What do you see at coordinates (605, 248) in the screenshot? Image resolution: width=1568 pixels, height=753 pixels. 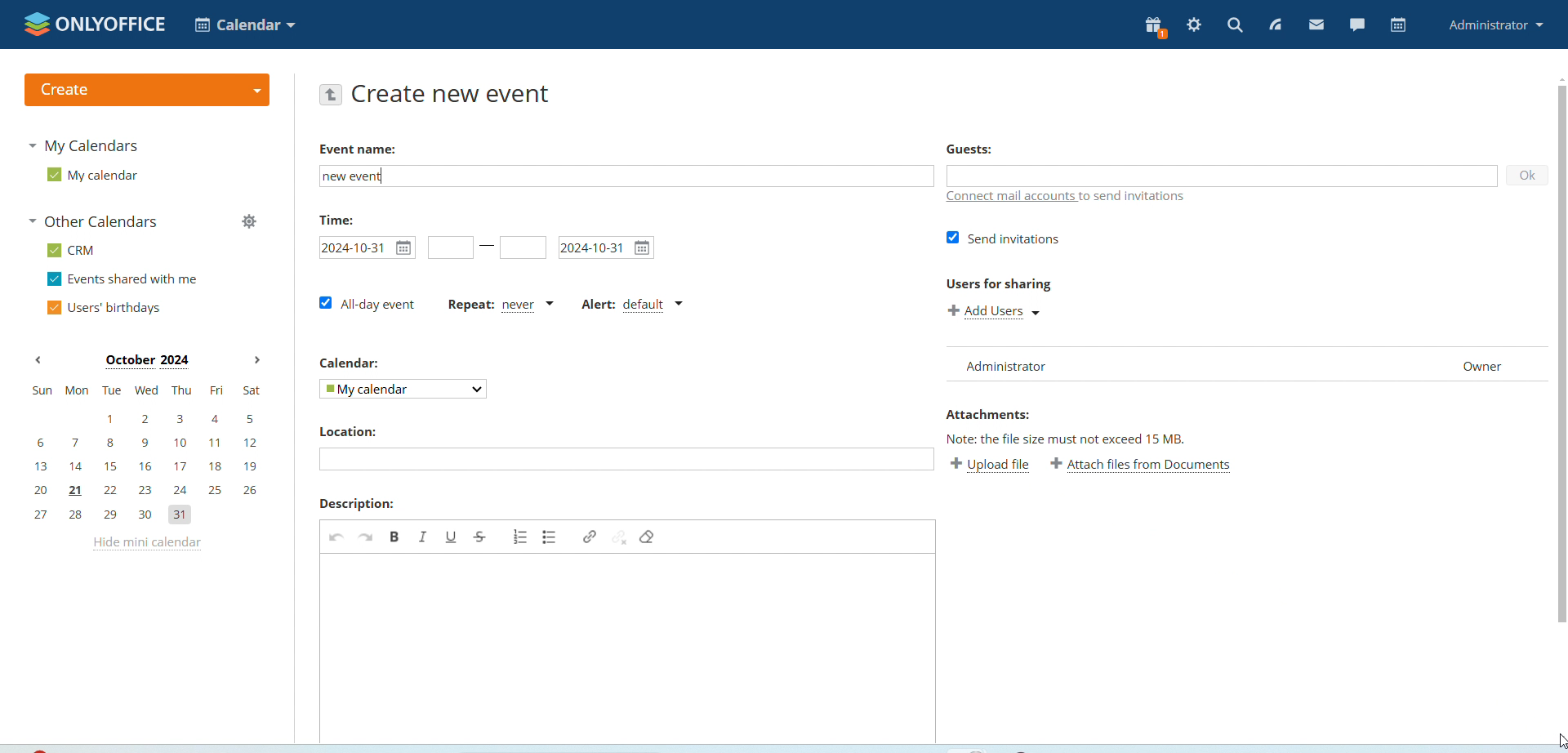 I see `2024-10-31` at bounding box center [605, 248].